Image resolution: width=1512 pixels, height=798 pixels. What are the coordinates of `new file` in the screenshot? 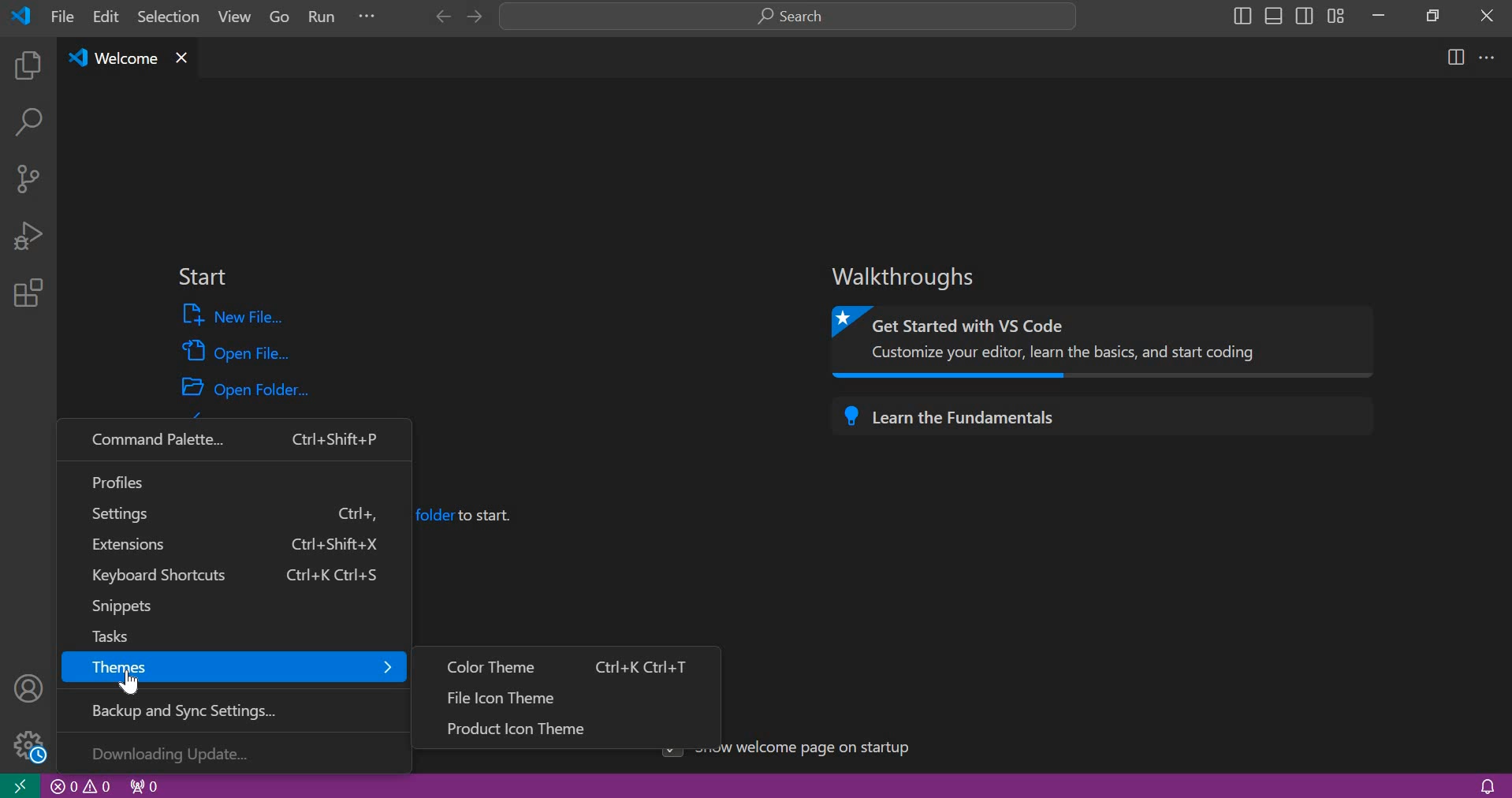 It's located at (236, 315).